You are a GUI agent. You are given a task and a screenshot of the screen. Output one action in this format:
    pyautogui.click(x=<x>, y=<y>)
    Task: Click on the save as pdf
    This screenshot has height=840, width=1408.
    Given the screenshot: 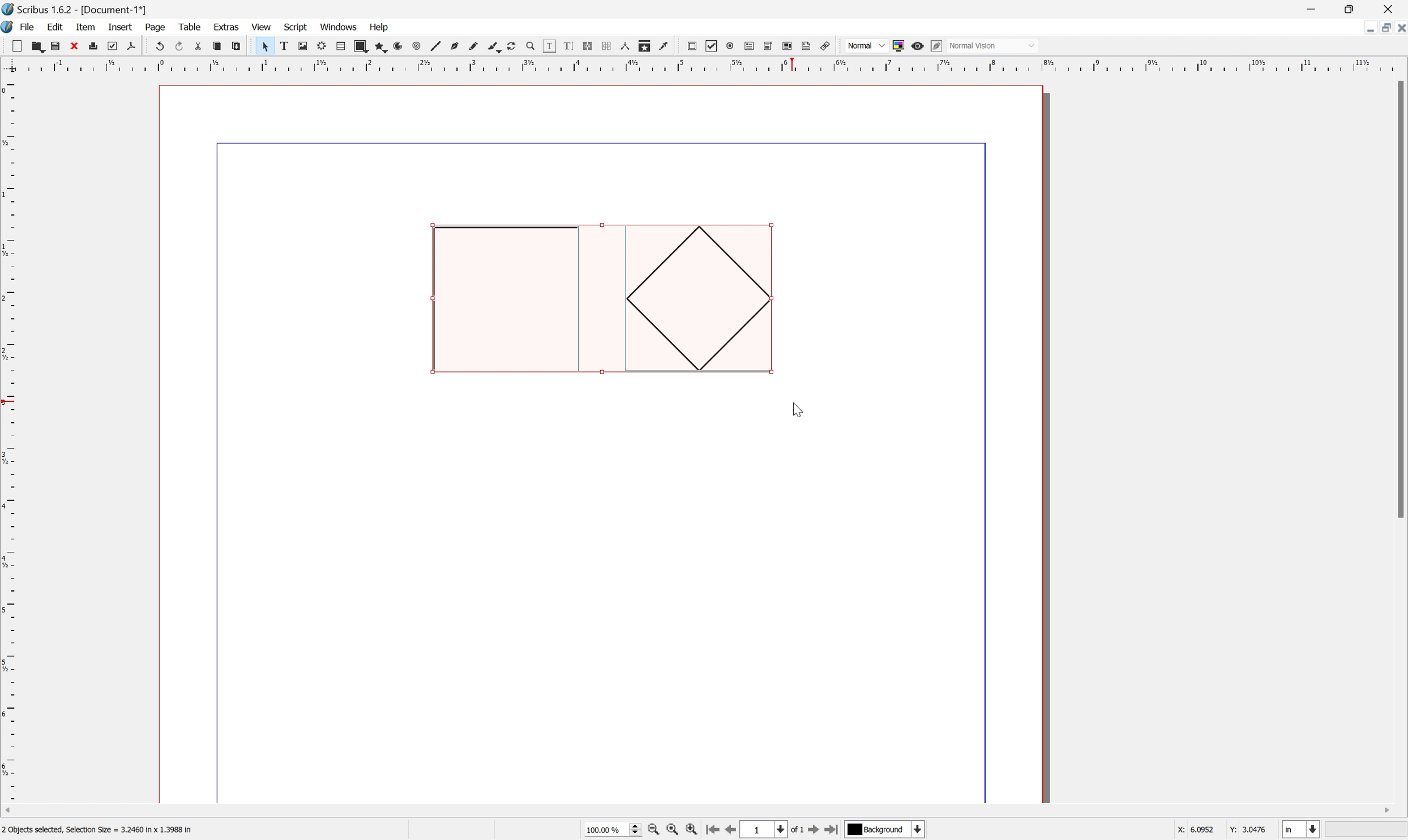 What is the action you would take?
    pyautogui.click(x=135, y=44)
    